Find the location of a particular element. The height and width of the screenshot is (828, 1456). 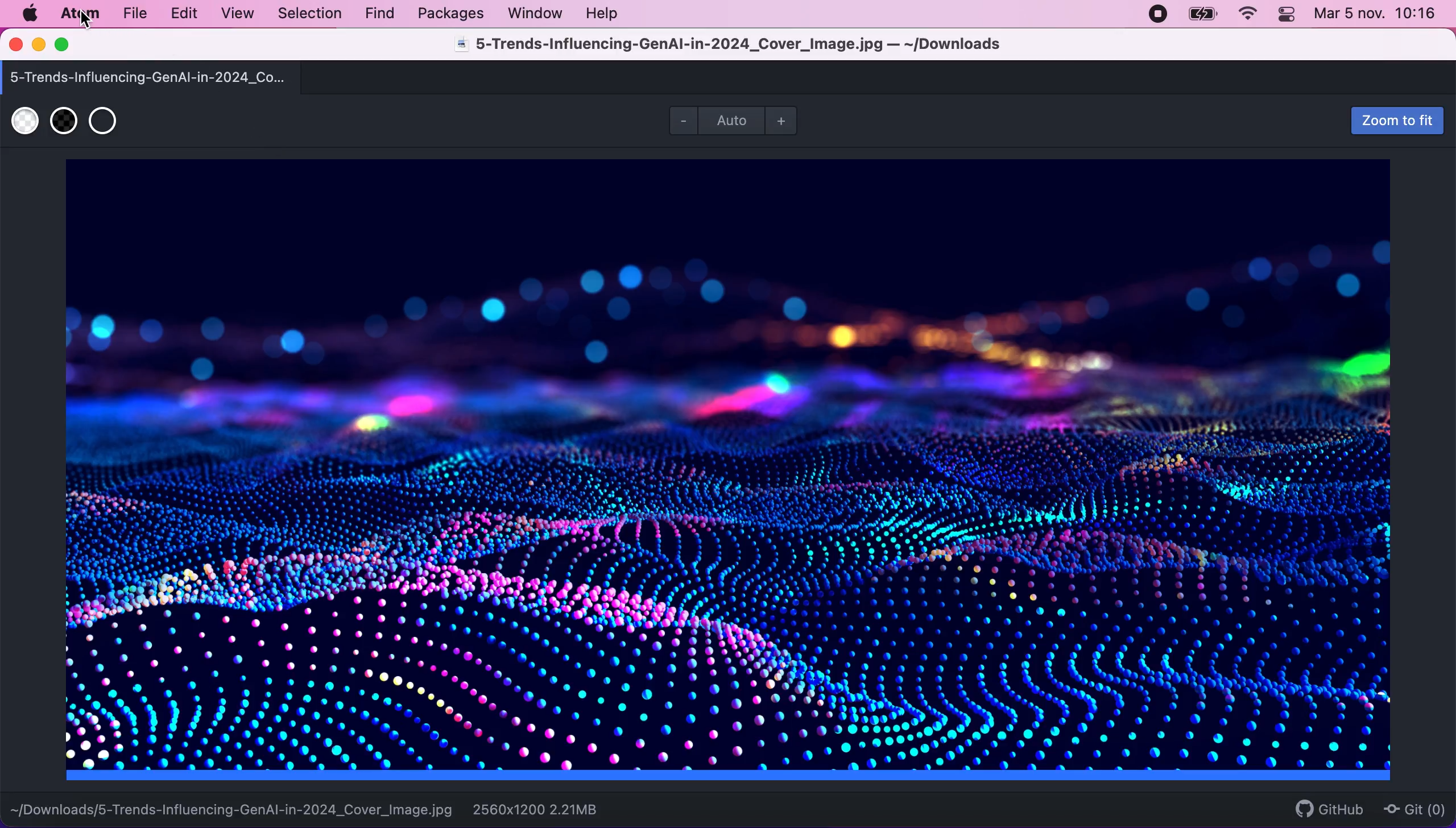

selection is located at coordinates (311, 14).